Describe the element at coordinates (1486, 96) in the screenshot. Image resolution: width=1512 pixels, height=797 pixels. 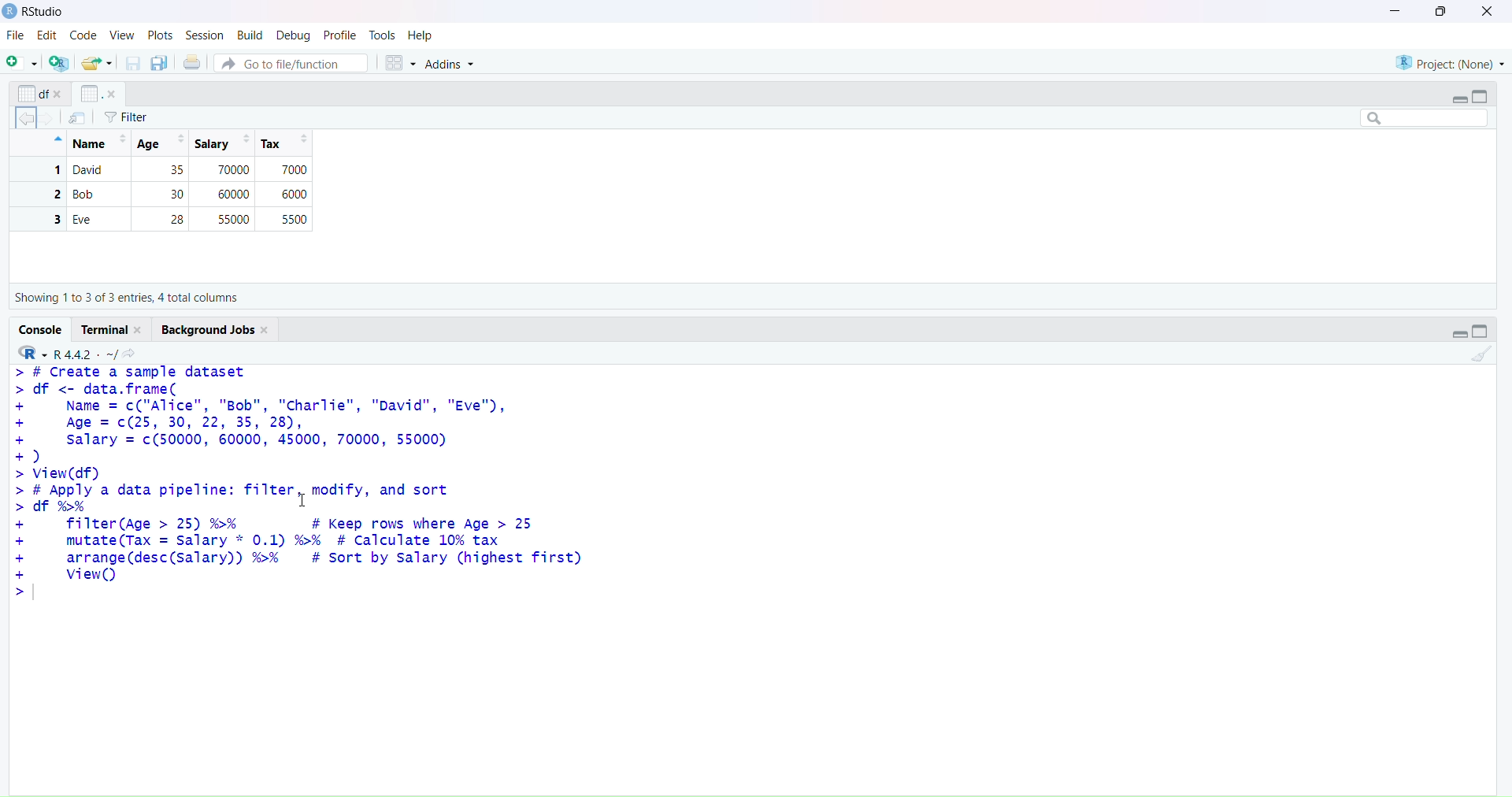
I see `collapse` at that location.